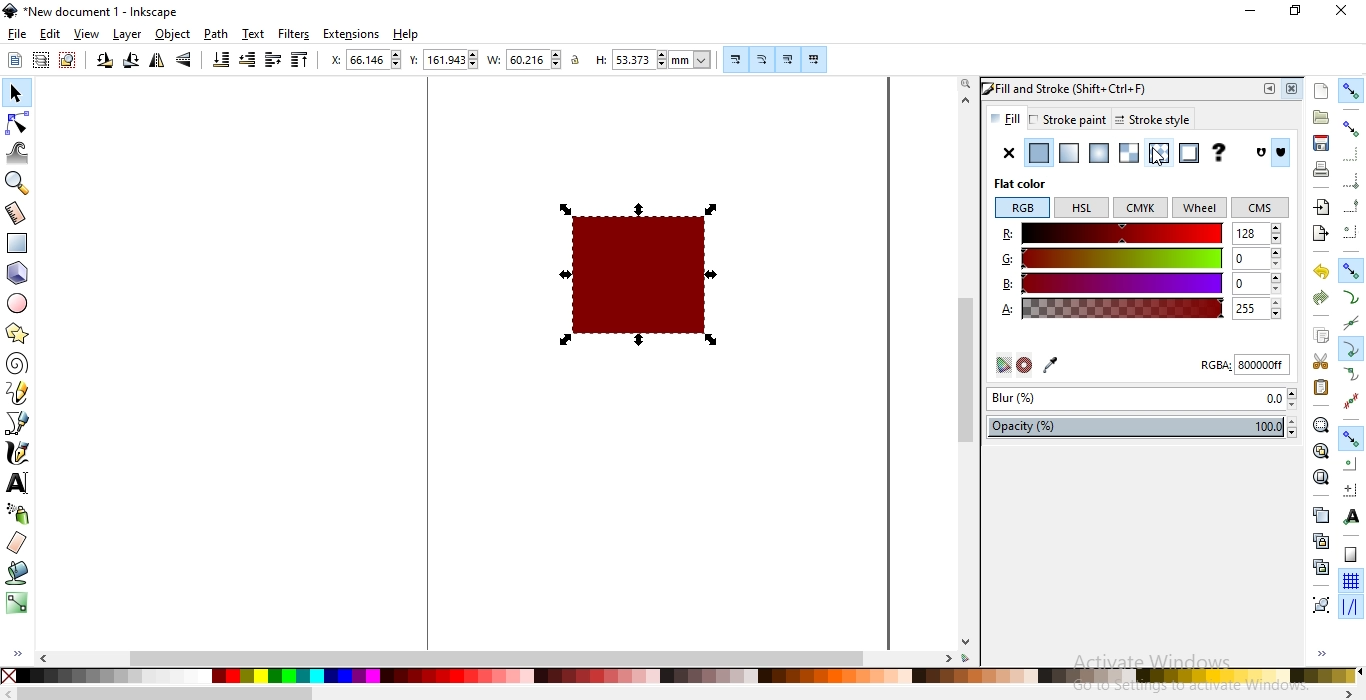 The height and width of the screenshot is (700, 1366). I want to click on redo an action, so click(1320, 296).